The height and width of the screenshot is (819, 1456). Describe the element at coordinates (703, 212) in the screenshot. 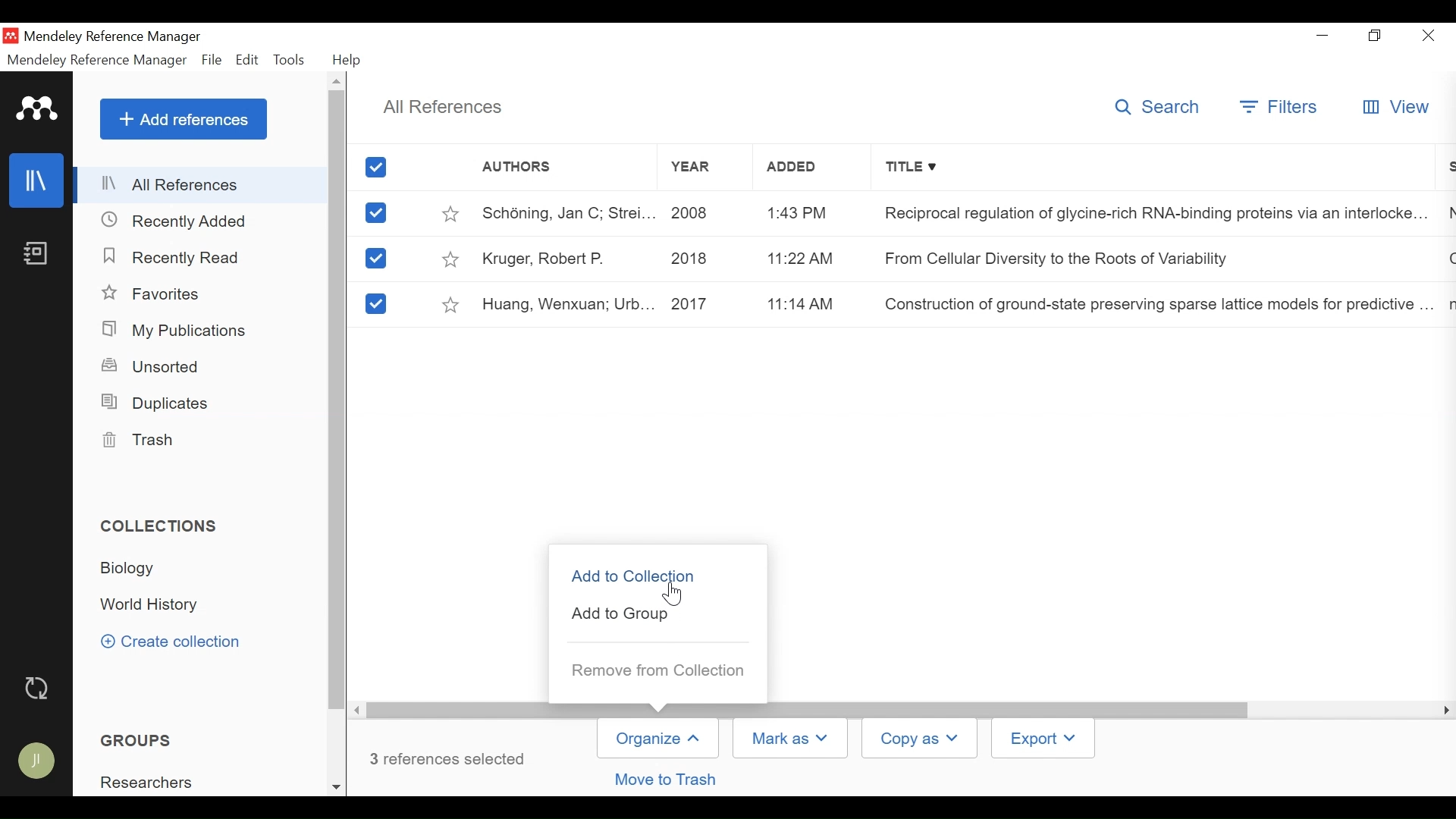

I see `2008` at that location.